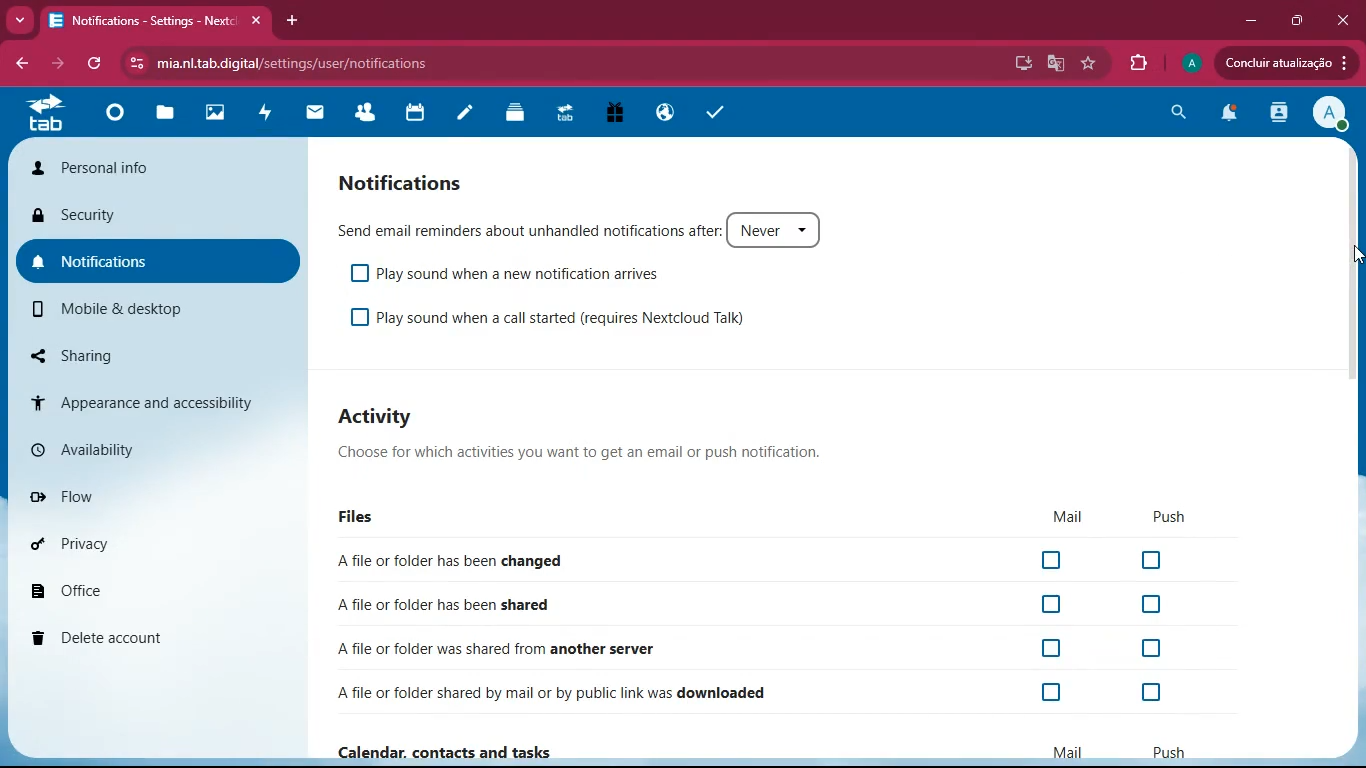  What do you see at coordinates (1189, 63) in the screenshot?
I see `profile` at bounding box center [1189, 63].